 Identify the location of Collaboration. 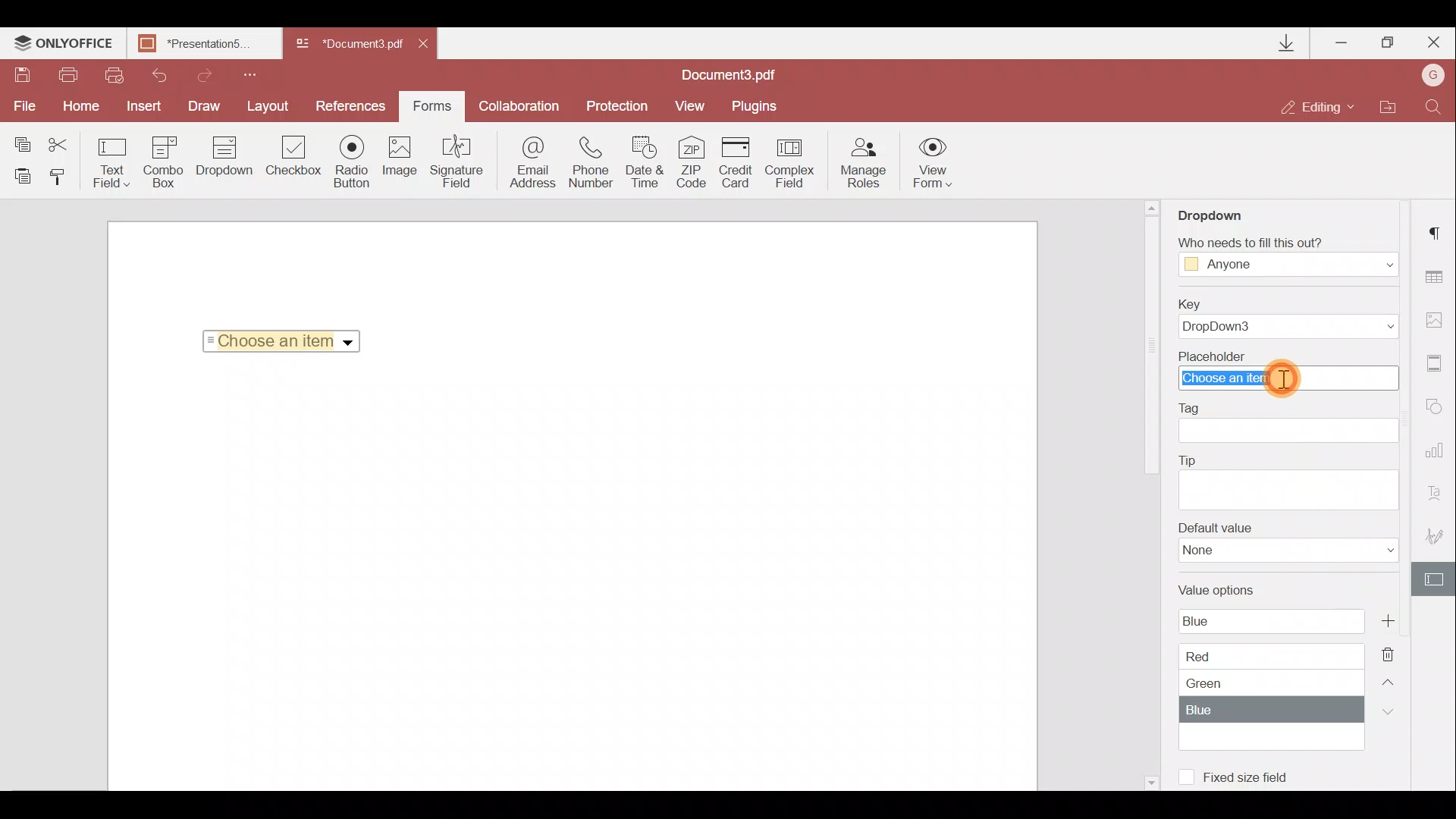
(519, 104).